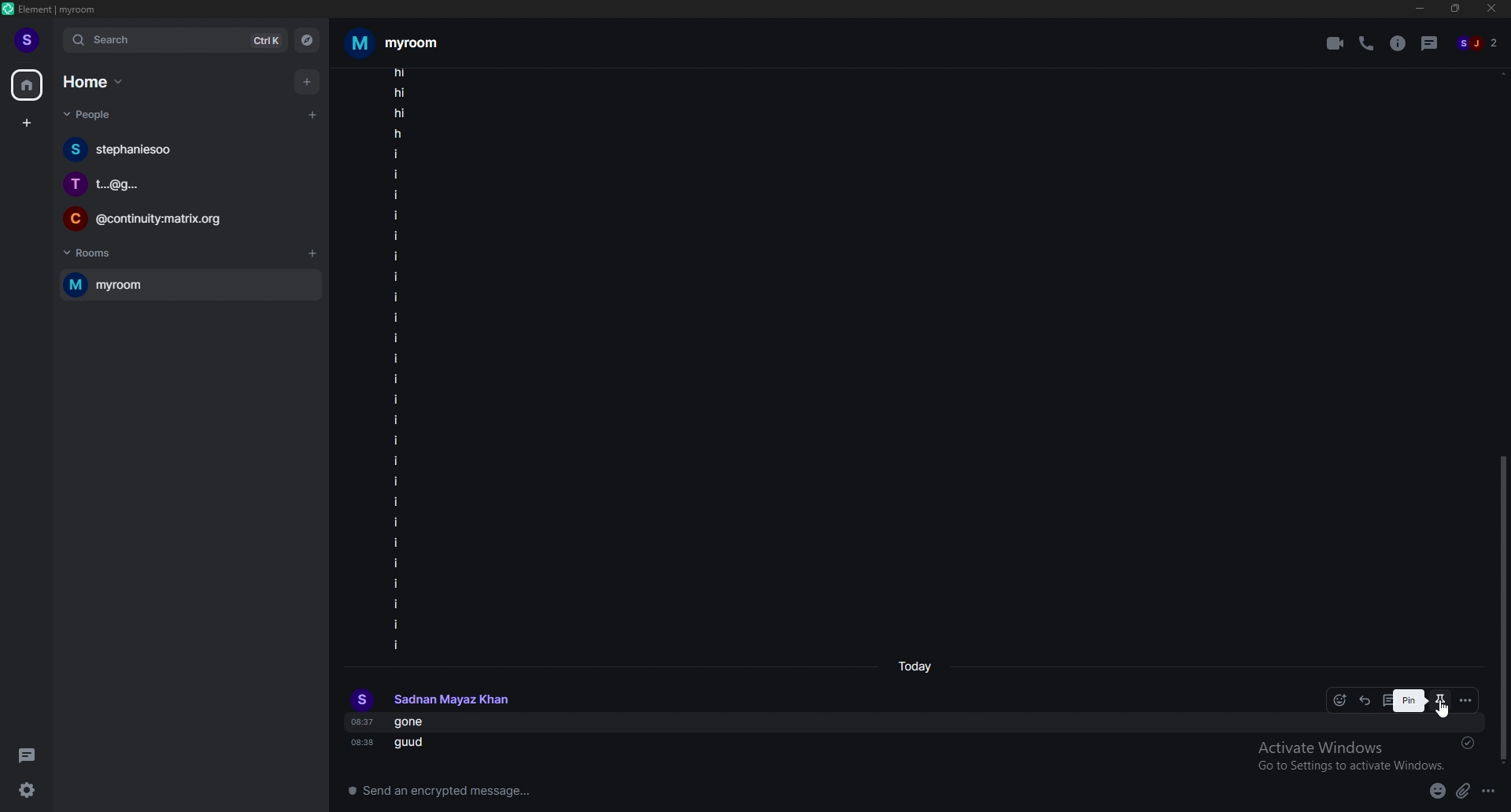 The image size is (1511, 812). Describe the element at coordinates (399, 42) in the screenshot. I see `room name` at that location.